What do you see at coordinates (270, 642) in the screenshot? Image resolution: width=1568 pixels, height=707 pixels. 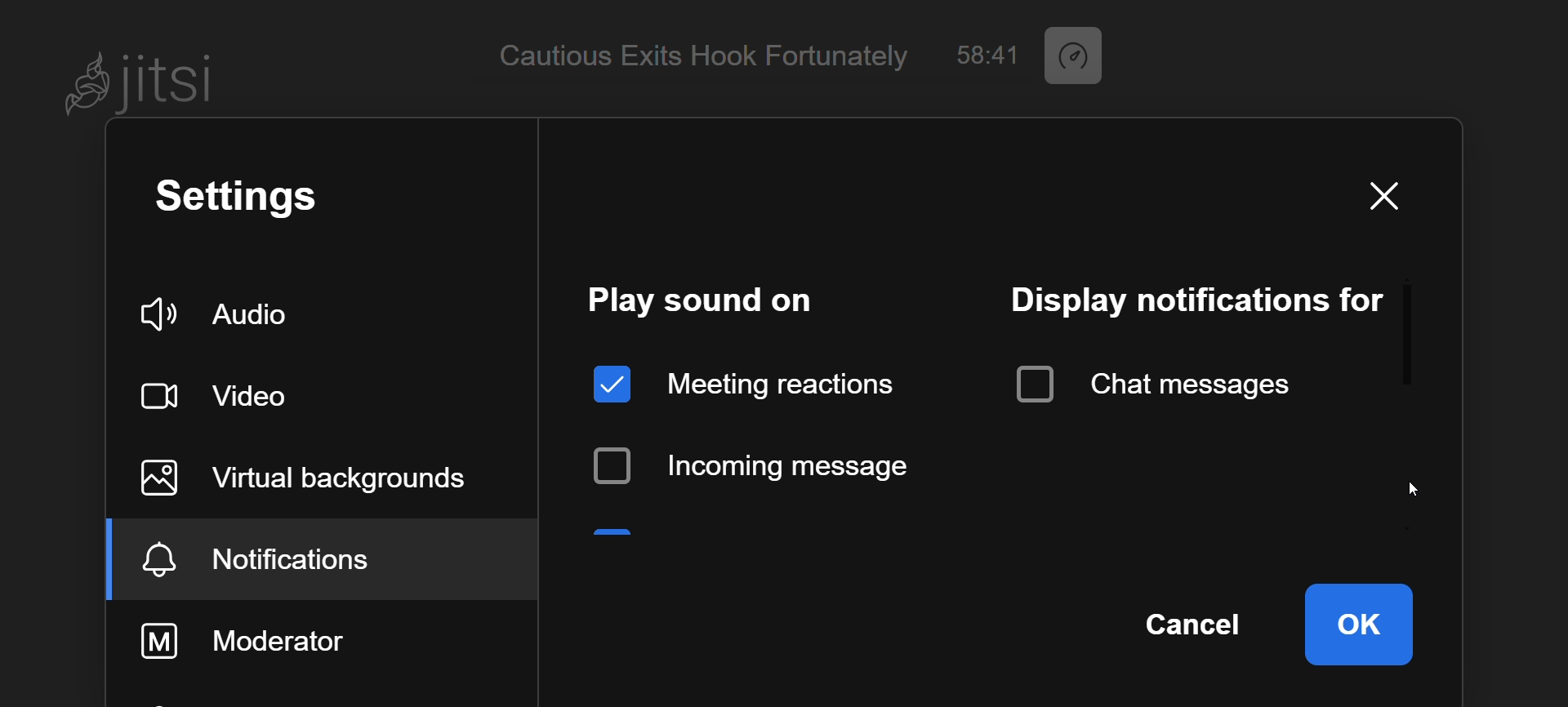 I see `moderator` at bounding box center [270, 642].